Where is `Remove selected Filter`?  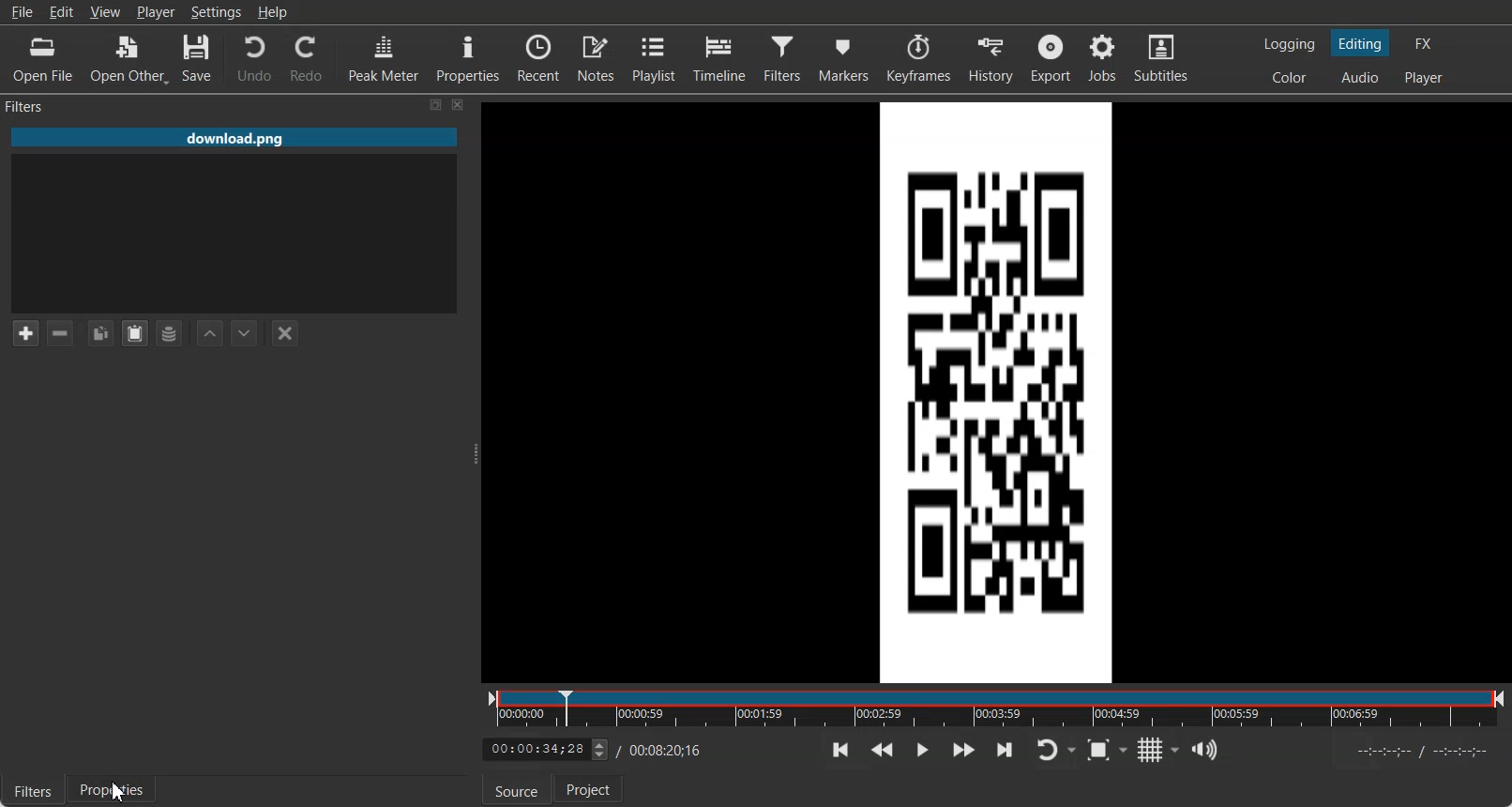
Remove selected Filter is located at coordinates (60, 334).